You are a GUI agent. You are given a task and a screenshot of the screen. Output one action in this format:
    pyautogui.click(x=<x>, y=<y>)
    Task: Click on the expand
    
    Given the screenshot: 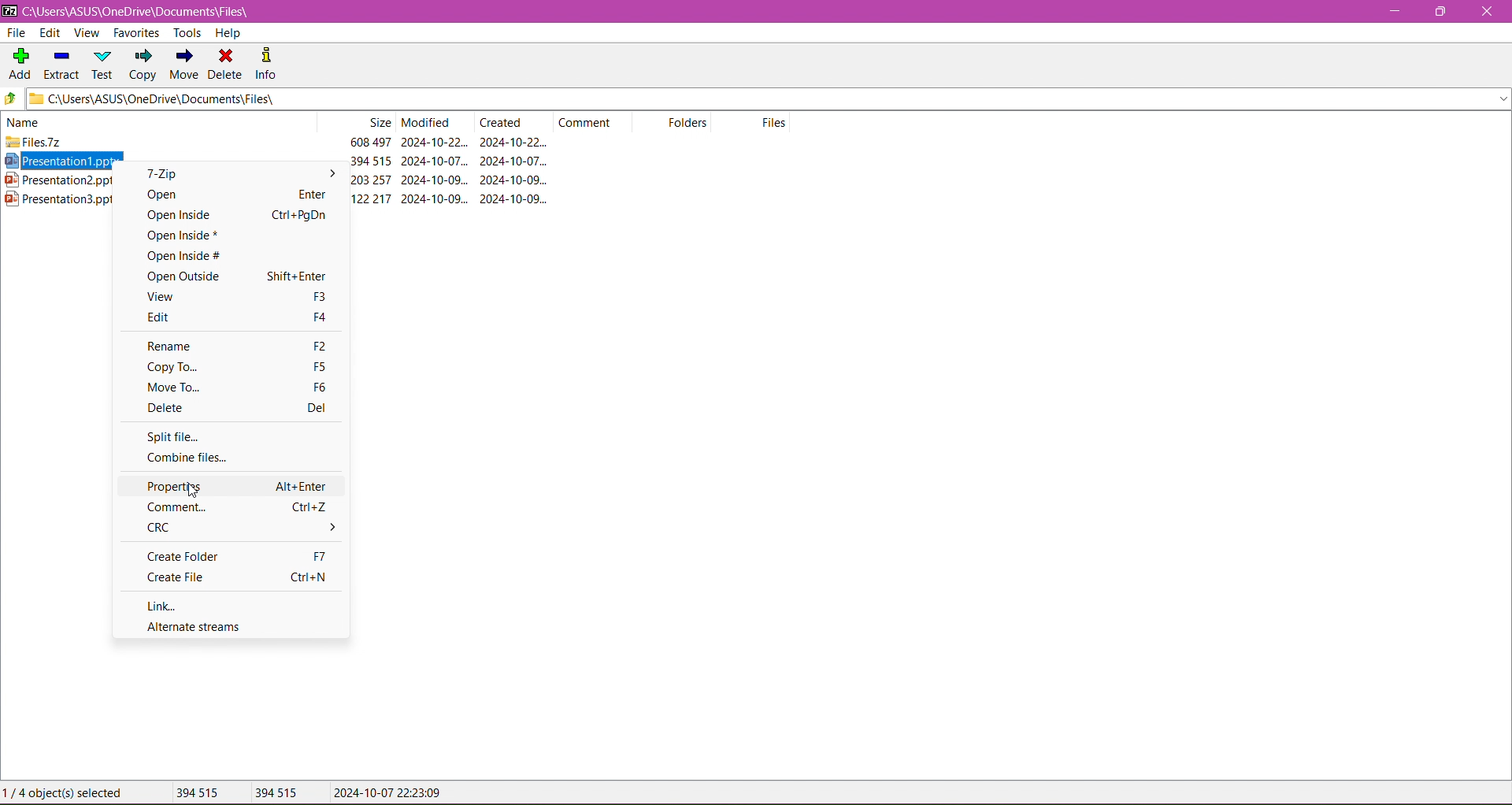 What is the action you would take?
    pyautogui.click(x=1503, y=98)
    